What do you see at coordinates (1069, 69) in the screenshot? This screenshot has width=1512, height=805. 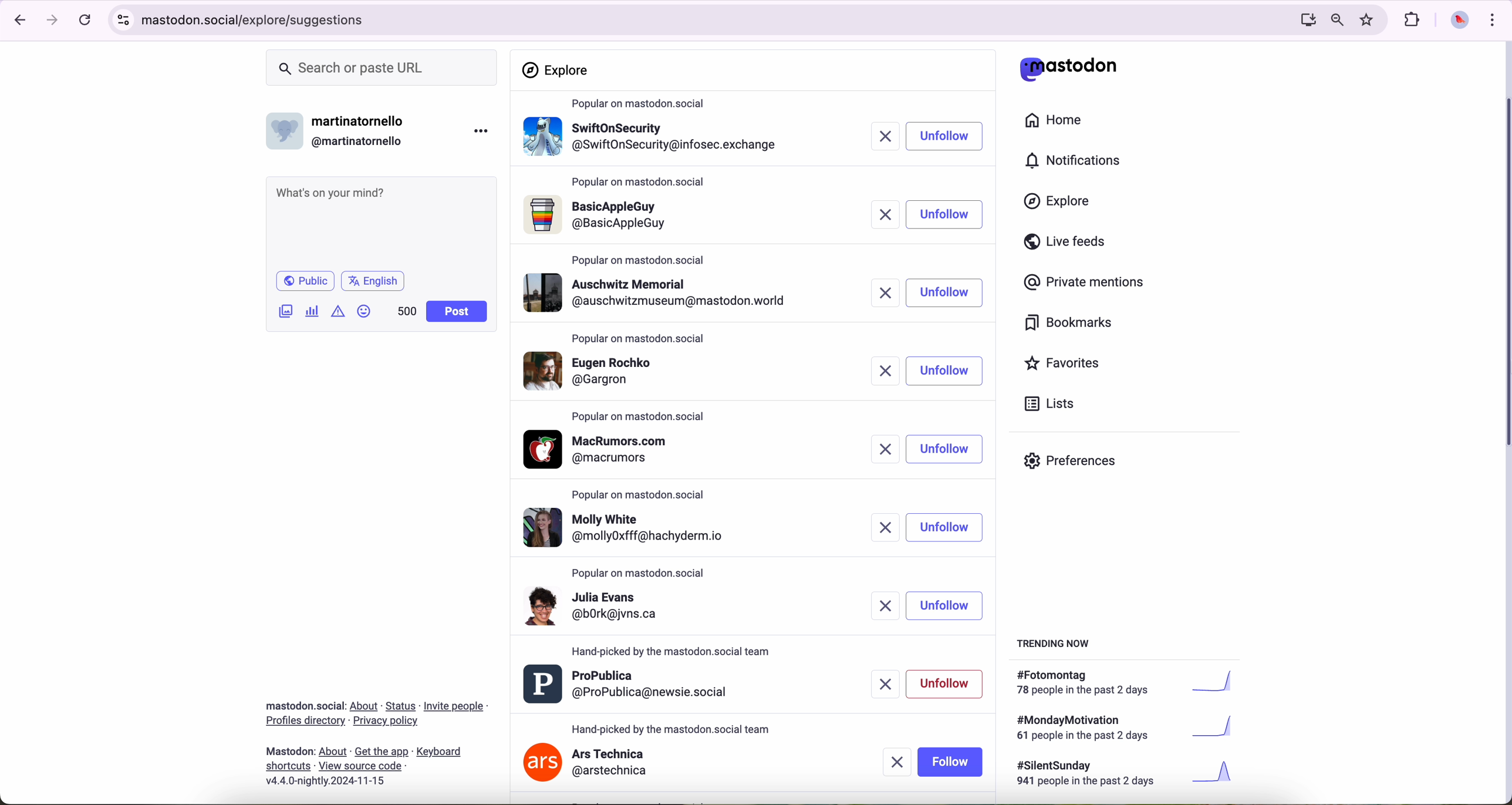 I see `matodon logo` at bounding box center [1069, 69].